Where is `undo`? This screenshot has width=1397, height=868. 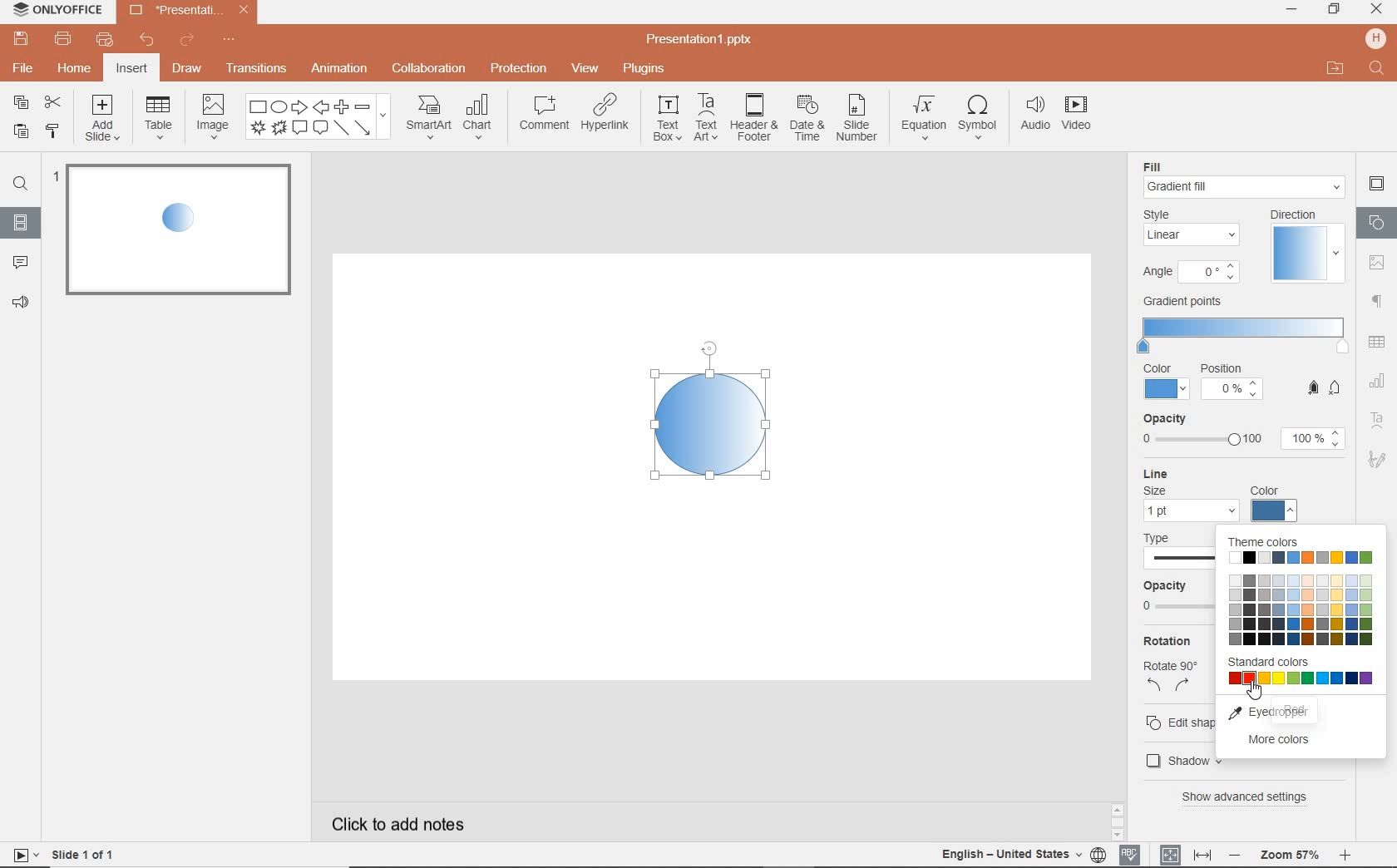 undo is located at coordinates (149, 41).